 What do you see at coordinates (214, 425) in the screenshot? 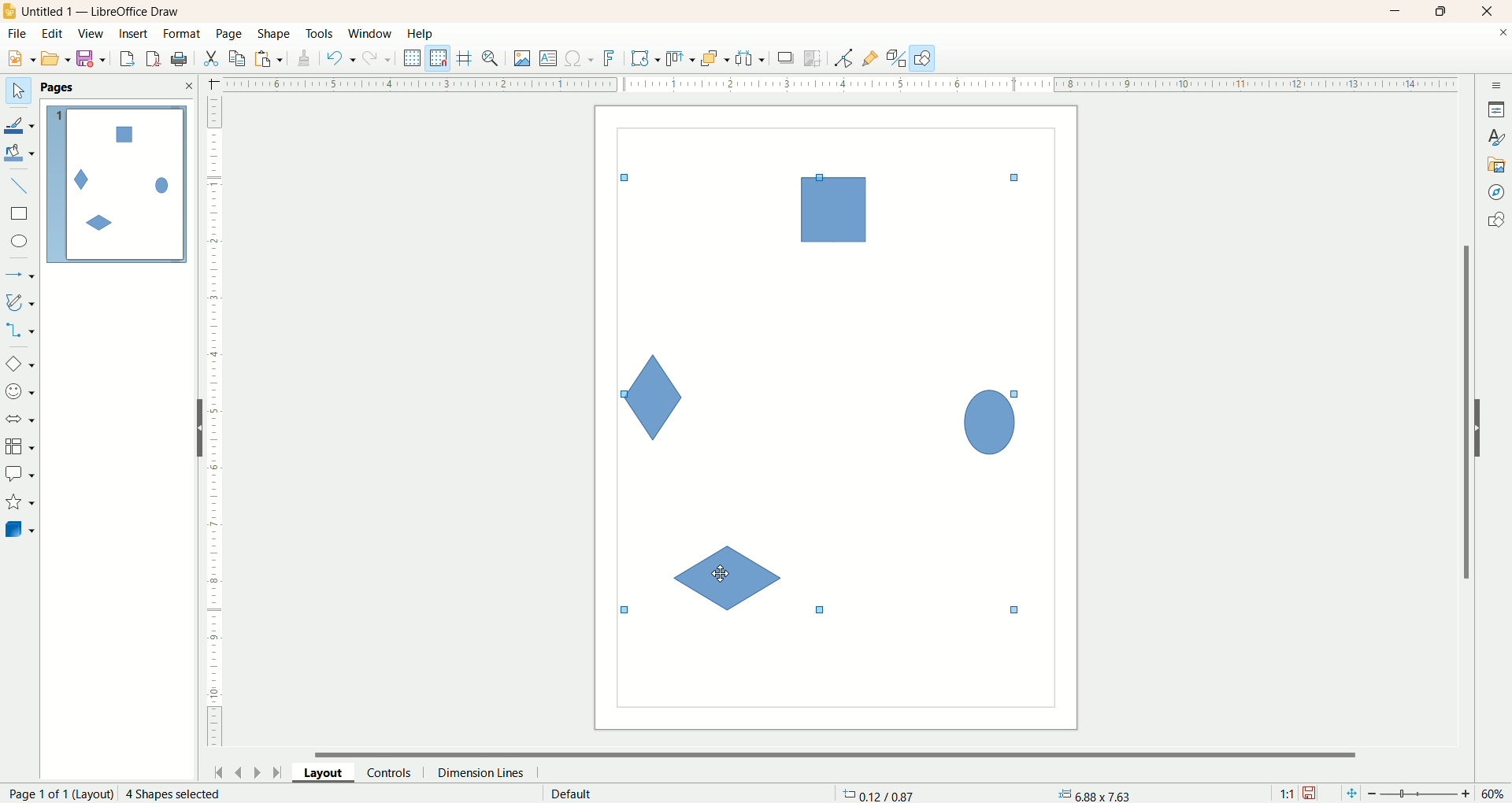
I see `scale bar` at bounding box center [214, 425].